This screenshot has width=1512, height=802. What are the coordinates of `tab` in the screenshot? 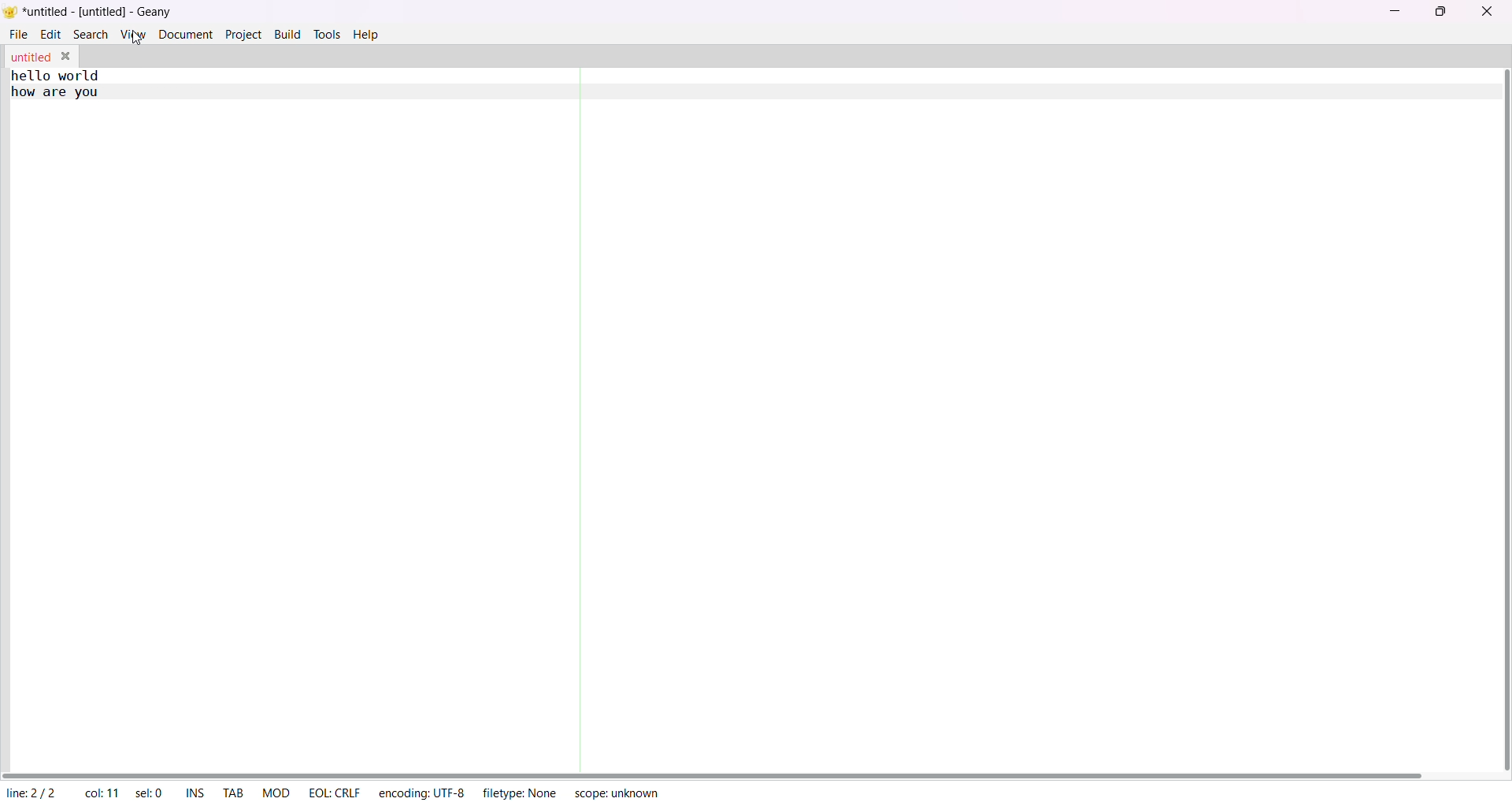 It's located at (233, 790).